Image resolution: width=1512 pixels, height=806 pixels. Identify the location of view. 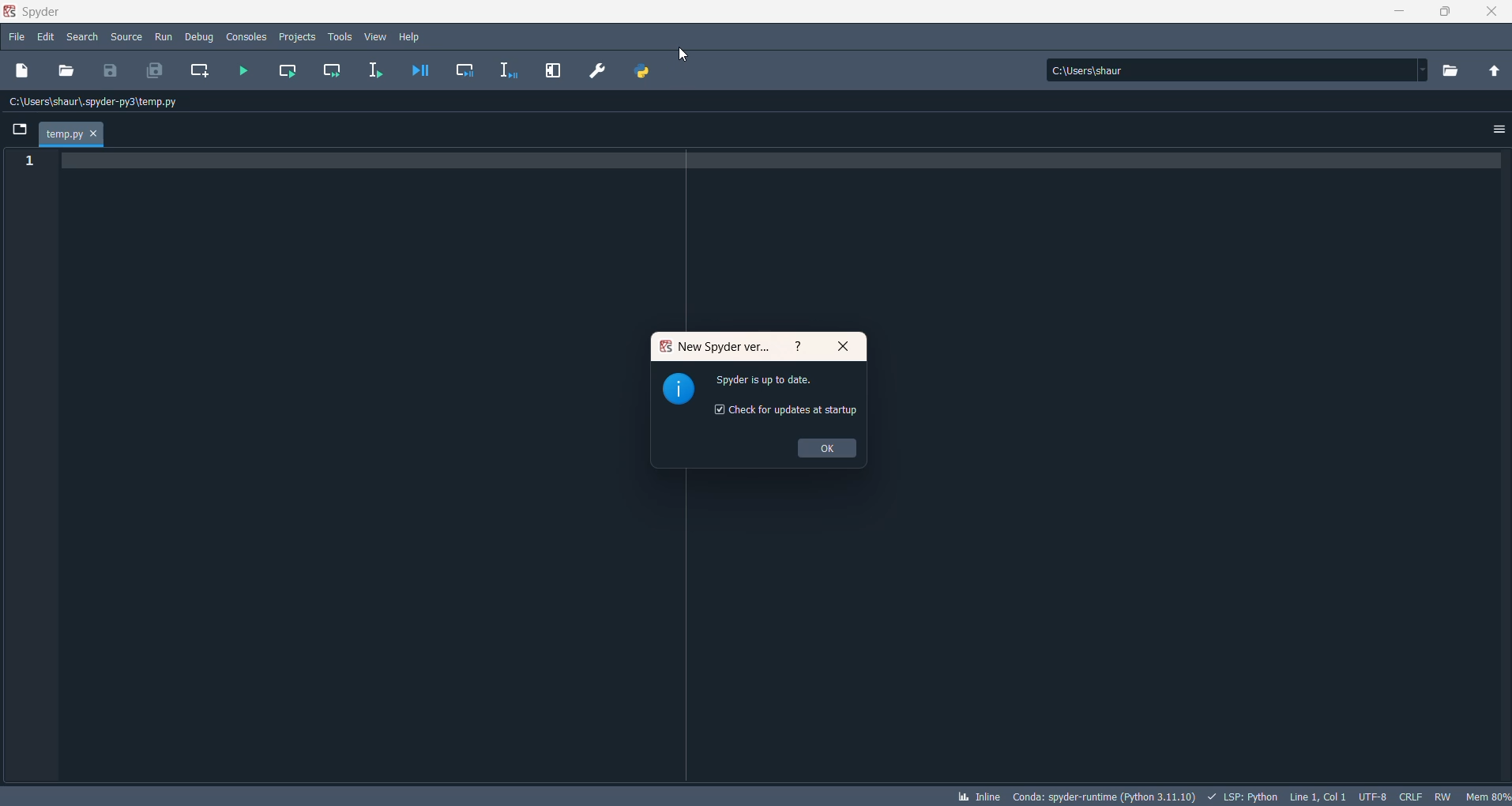
(377, 37).